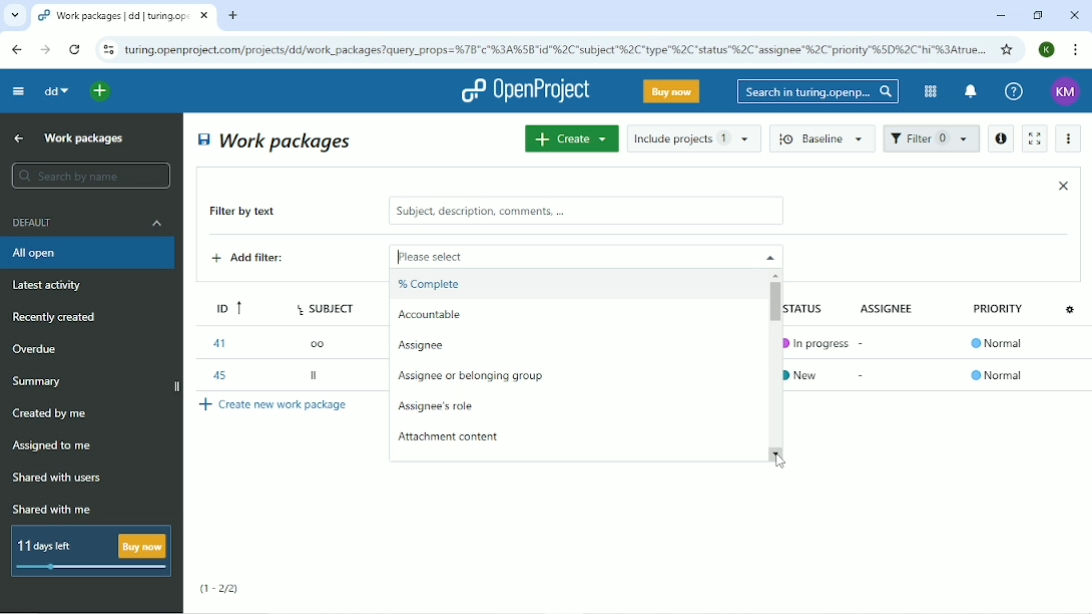 The height and width of the screenshot is (614, 1092). I want to click on Normal, so click(997, 375).